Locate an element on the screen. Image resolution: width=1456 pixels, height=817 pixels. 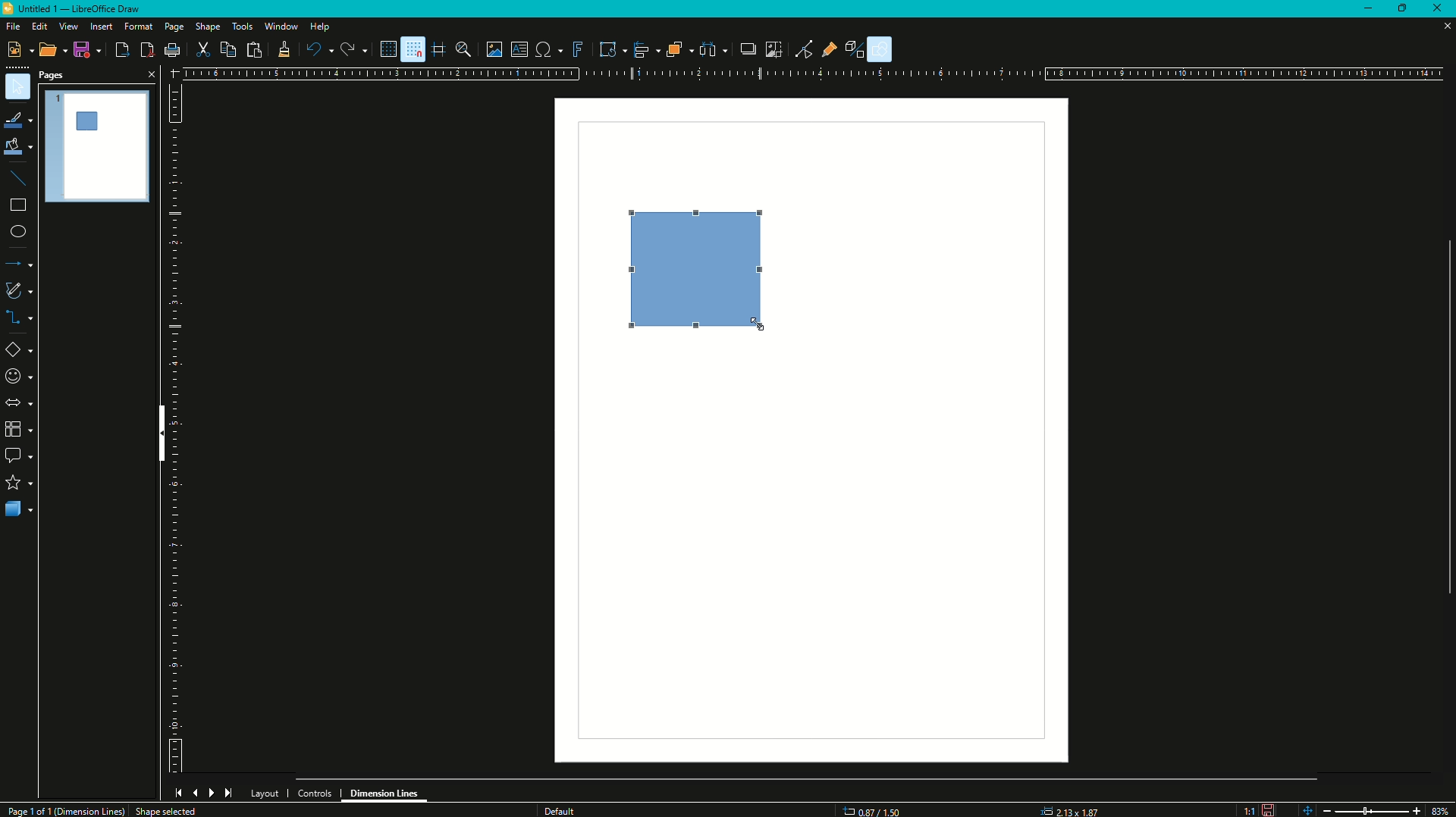
Show Gluepoint Function is located at coordinates (833, 50).